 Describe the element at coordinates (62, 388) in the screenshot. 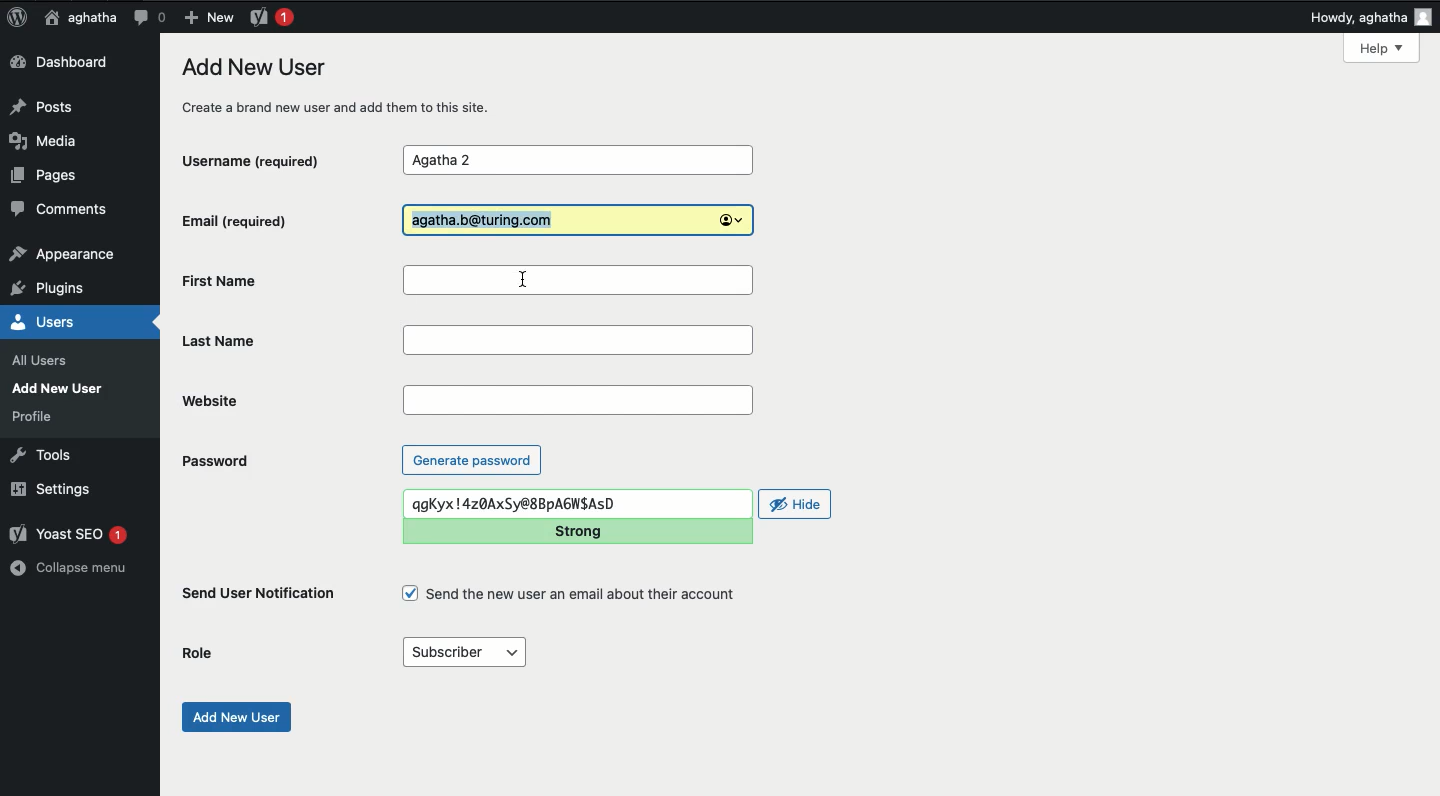

I see `Add new user` at that location.